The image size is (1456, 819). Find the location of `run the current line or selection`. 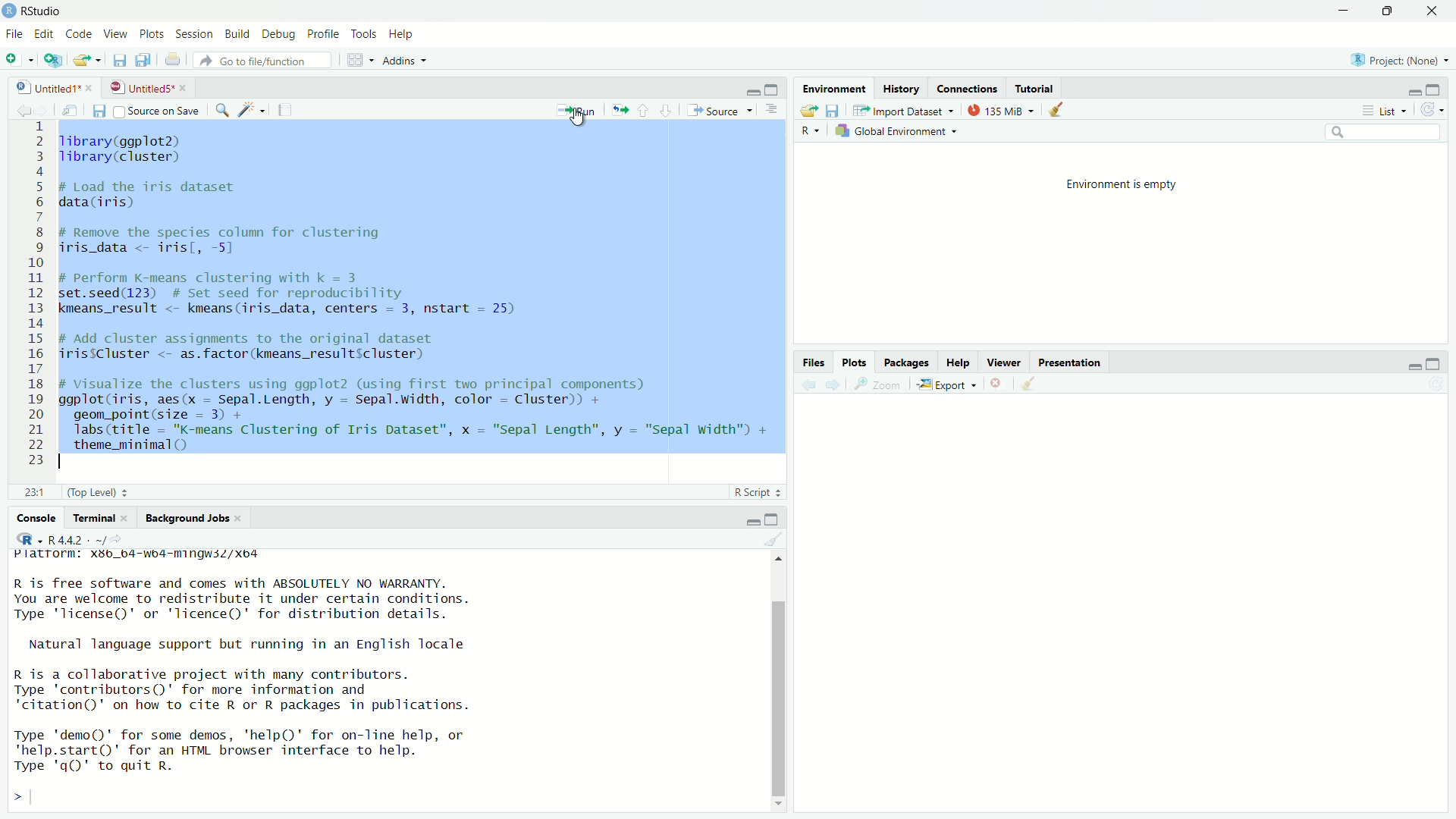

run the current line or selection is located at coordinates (575, 109).